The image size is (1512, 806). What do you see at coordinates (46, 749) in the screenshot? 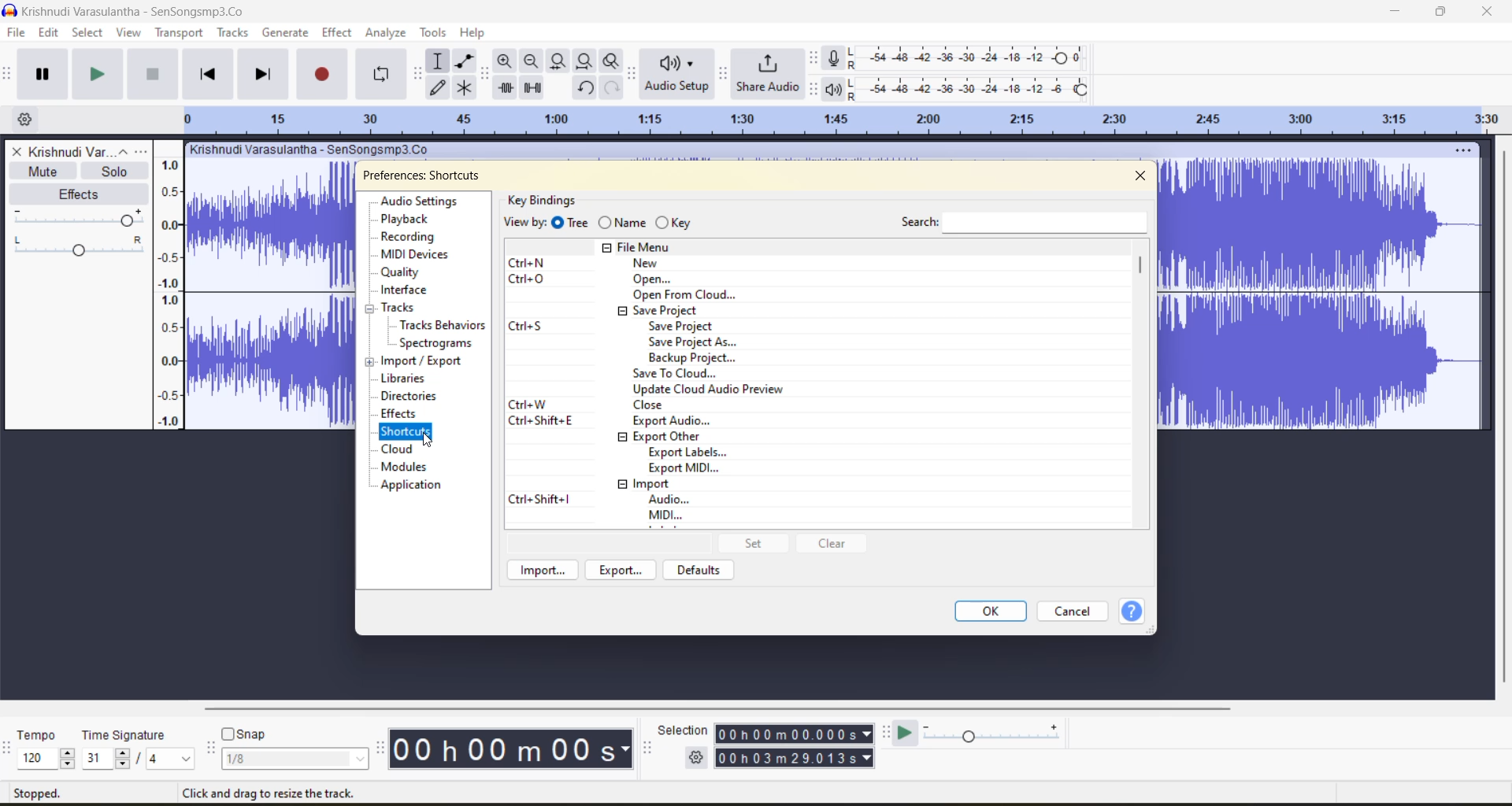
I see `tempo` at bounding box center [46, 749].